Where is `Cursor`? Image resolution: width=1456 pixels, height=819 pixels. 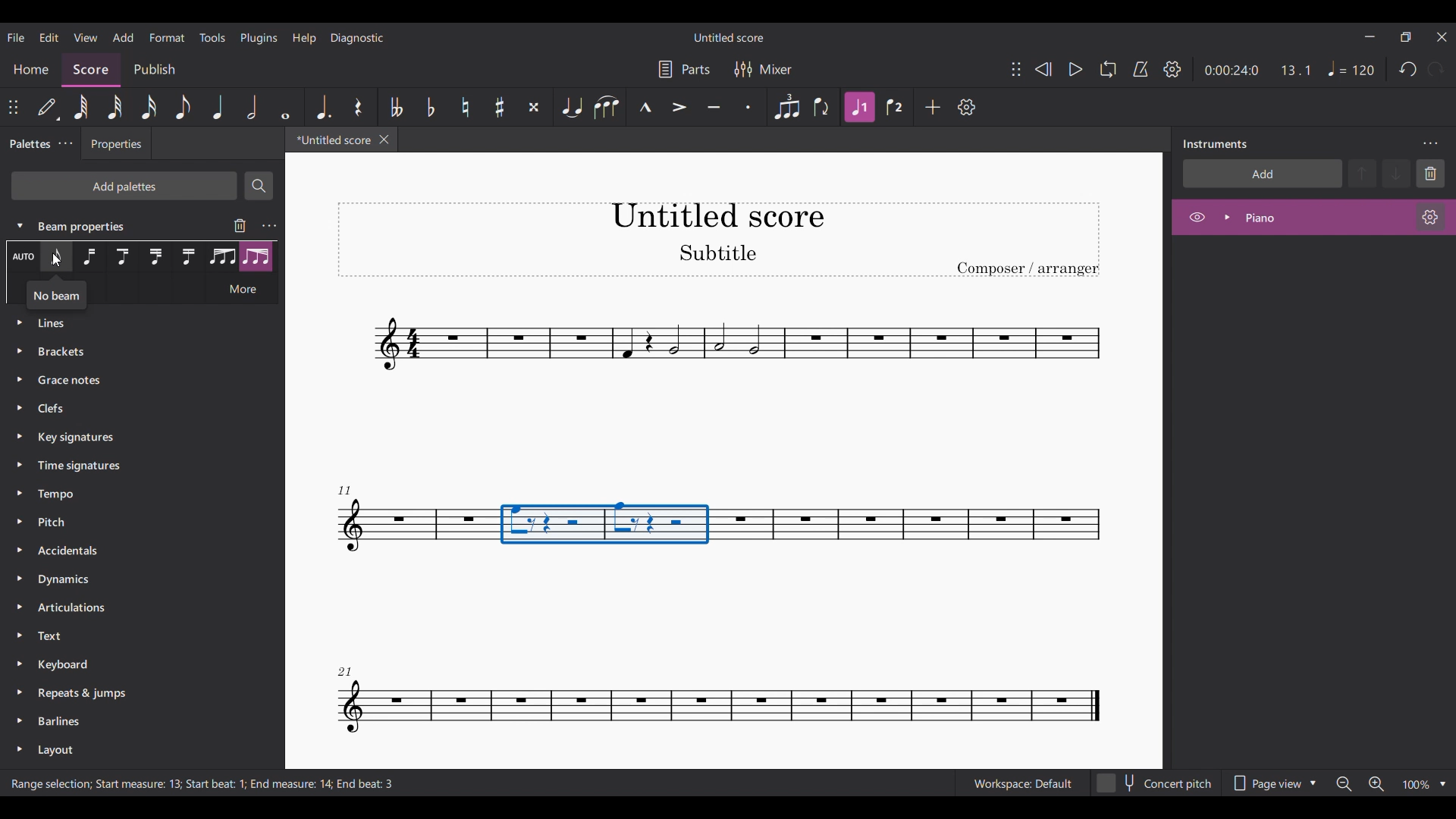
Cursor is located at coordinates (60, 262).